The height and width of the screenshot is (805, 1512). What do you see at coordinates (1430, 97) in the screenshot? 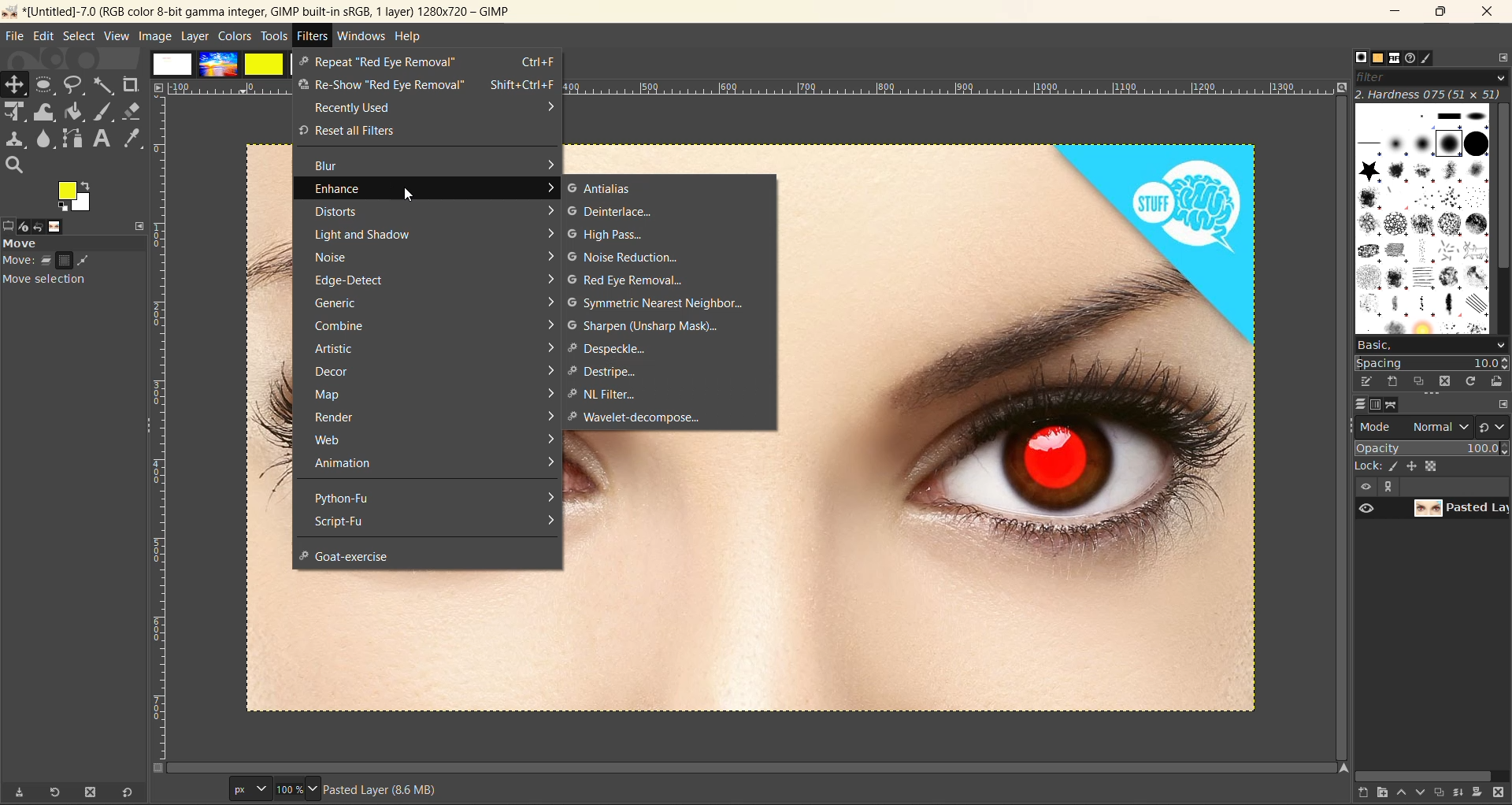
I see `hardness` at bounding box center [1430, 97].